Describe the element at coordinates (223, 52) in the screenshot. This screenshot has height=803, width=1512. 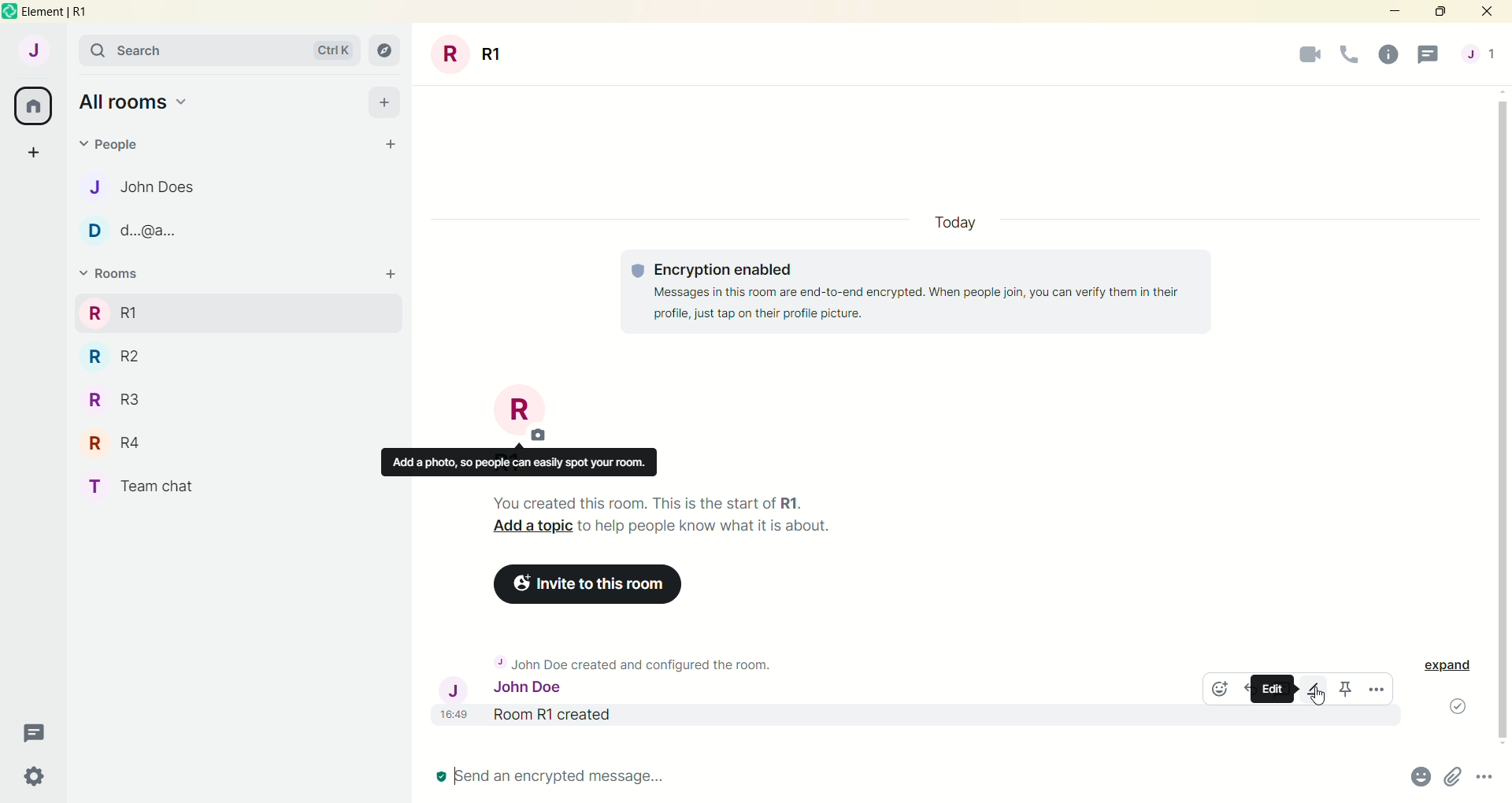
I see `search` at that location.